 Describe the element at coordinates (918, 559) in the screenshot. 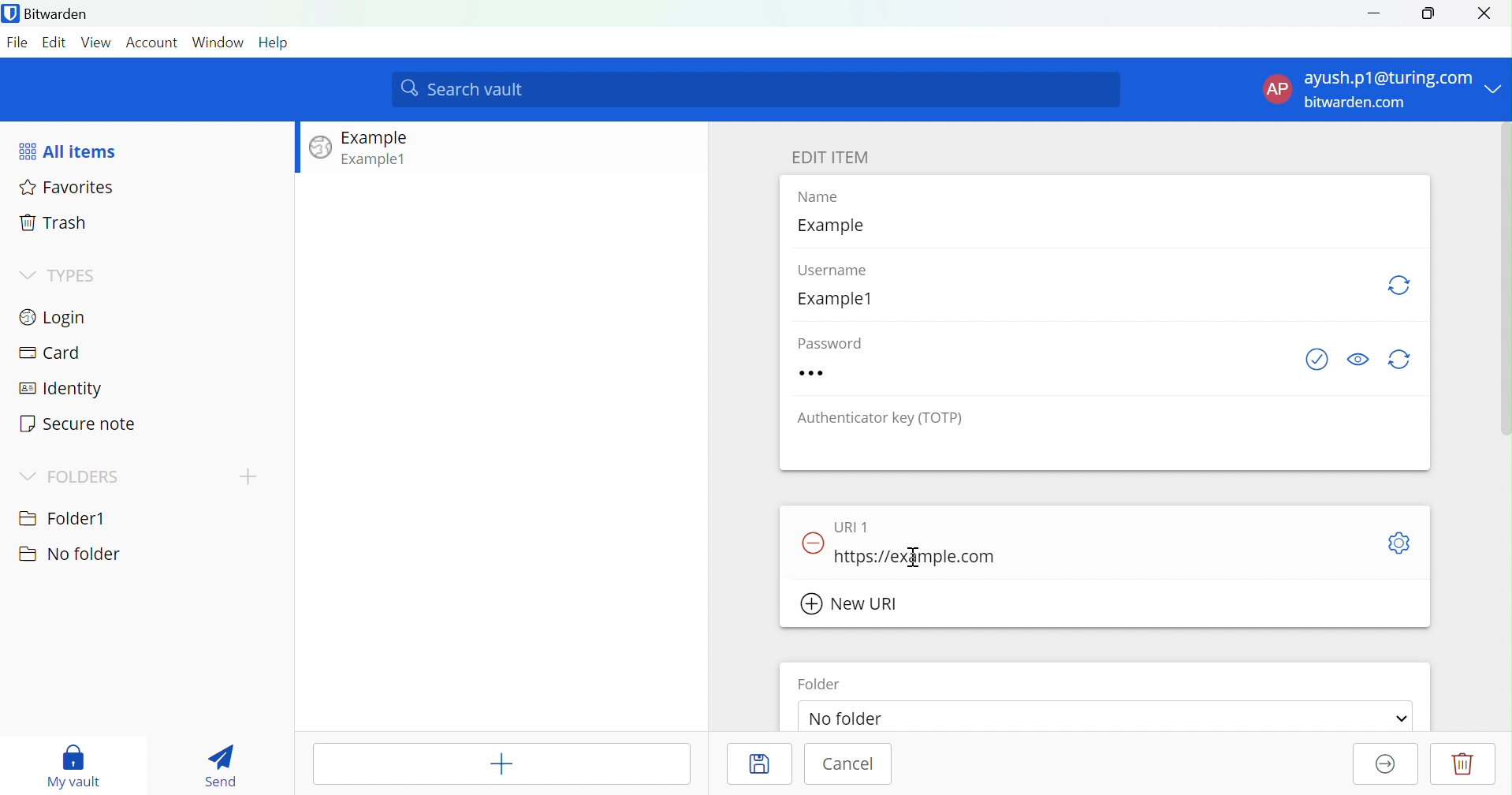

I see `https://example.com` at that location.